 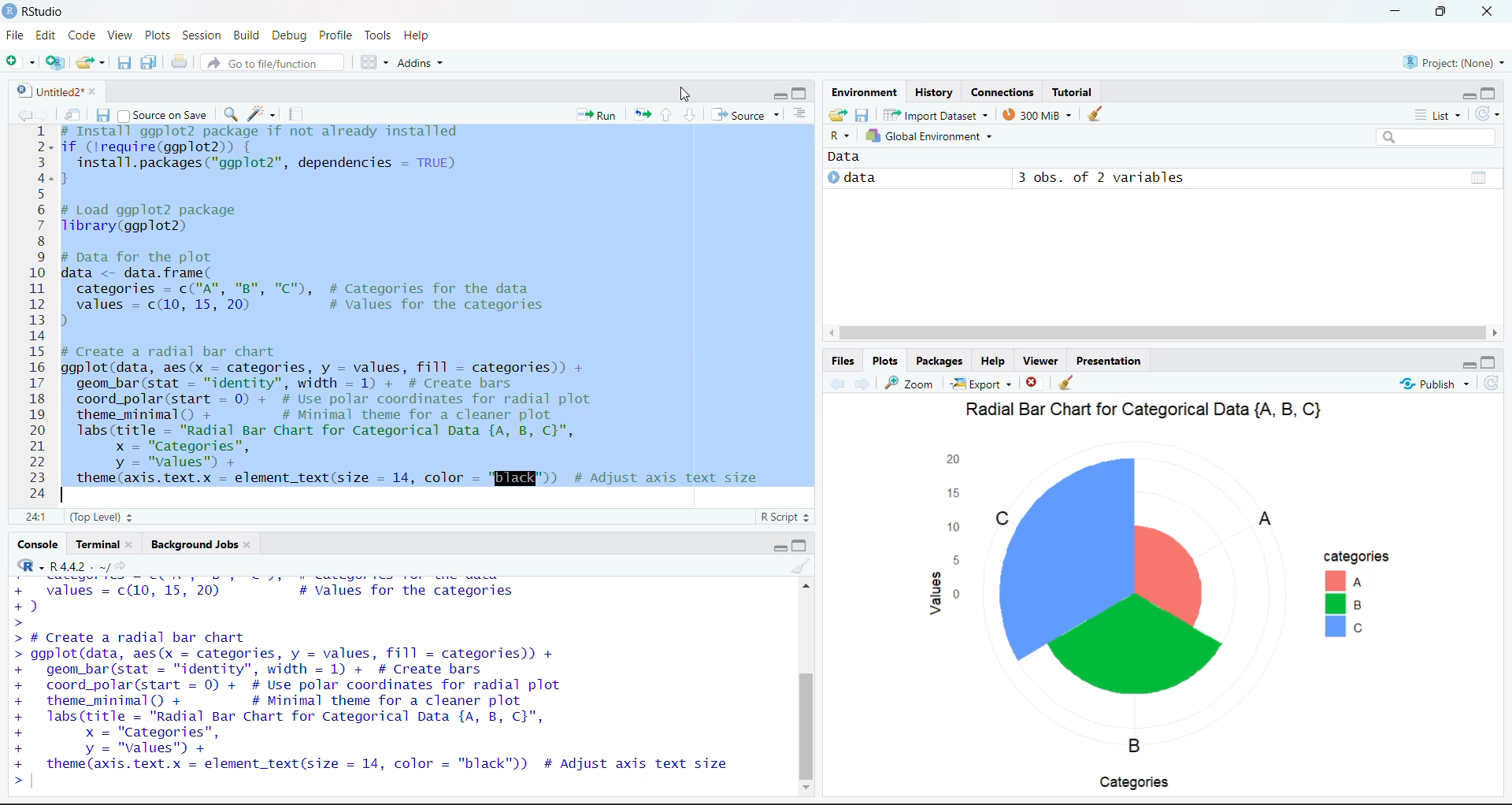 What do you see at coordinates (691, 114) in the screenshot?
I see `go to next section/chunk` at bounding box center [691, 114].